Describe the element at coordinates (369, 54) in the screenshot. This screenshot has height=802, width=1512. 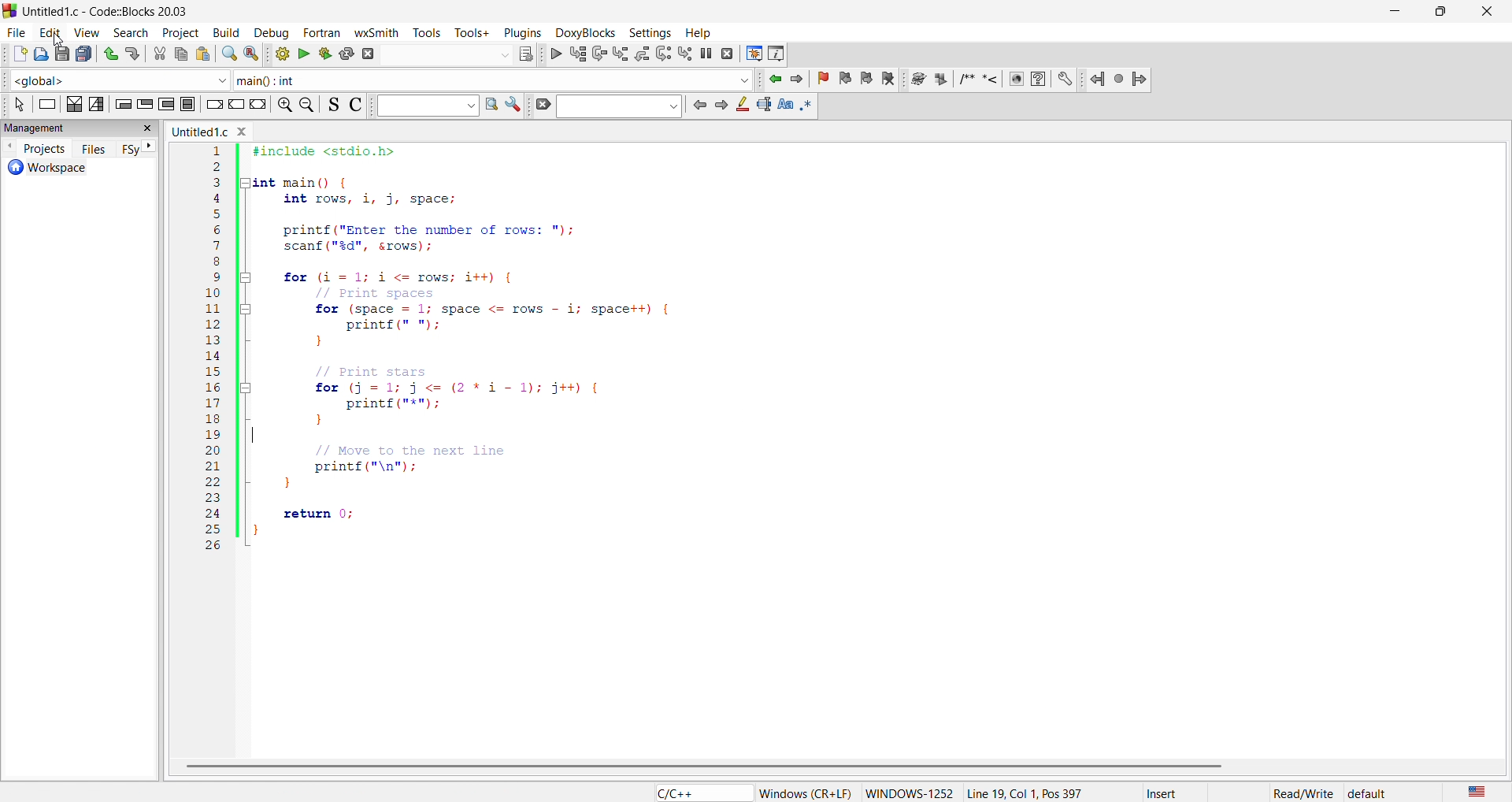
I see `abort` at that location.